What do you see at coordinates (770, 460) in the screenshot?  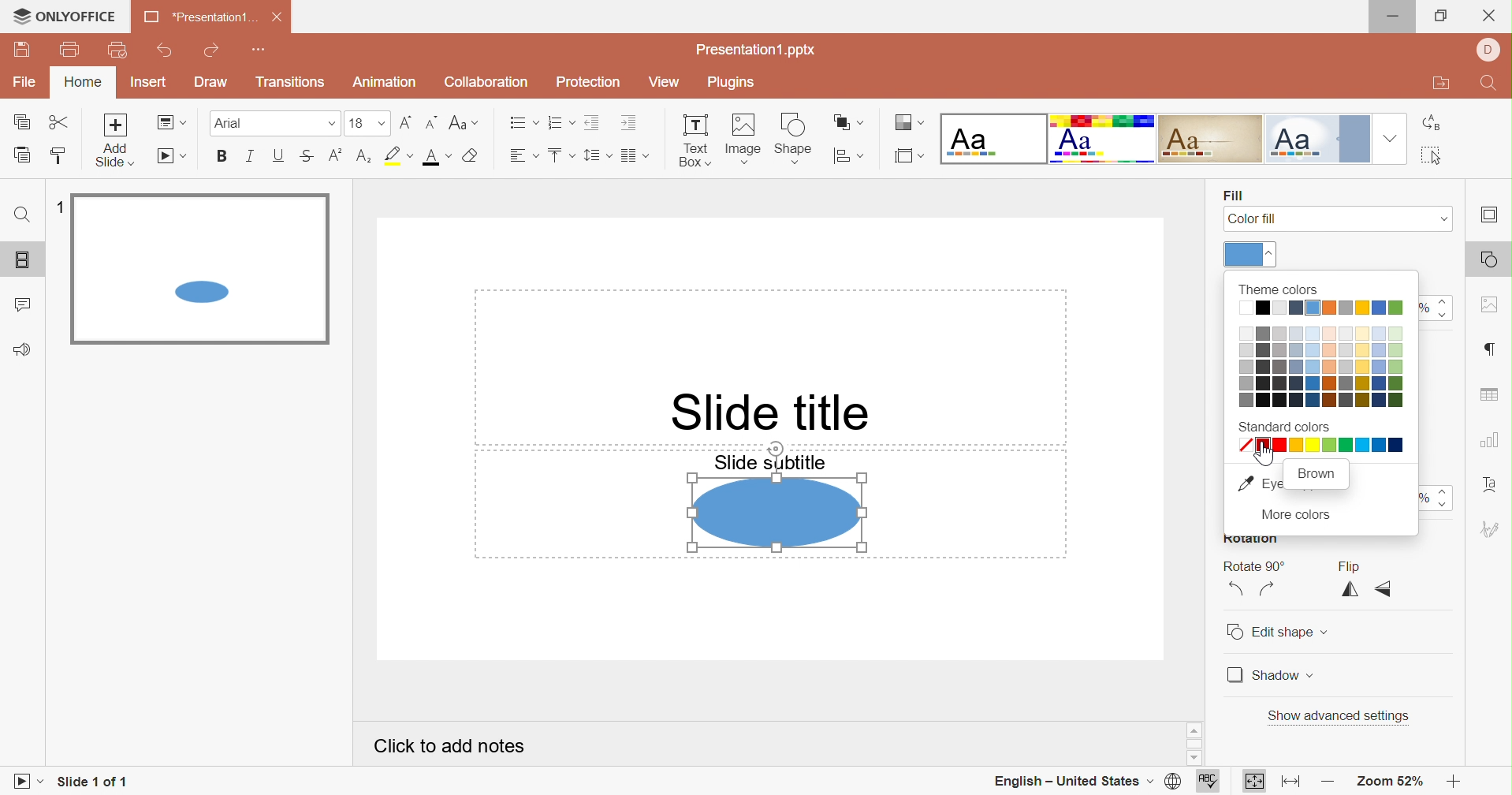 I see `Slide subtitle` at bounding box center [770, 460].